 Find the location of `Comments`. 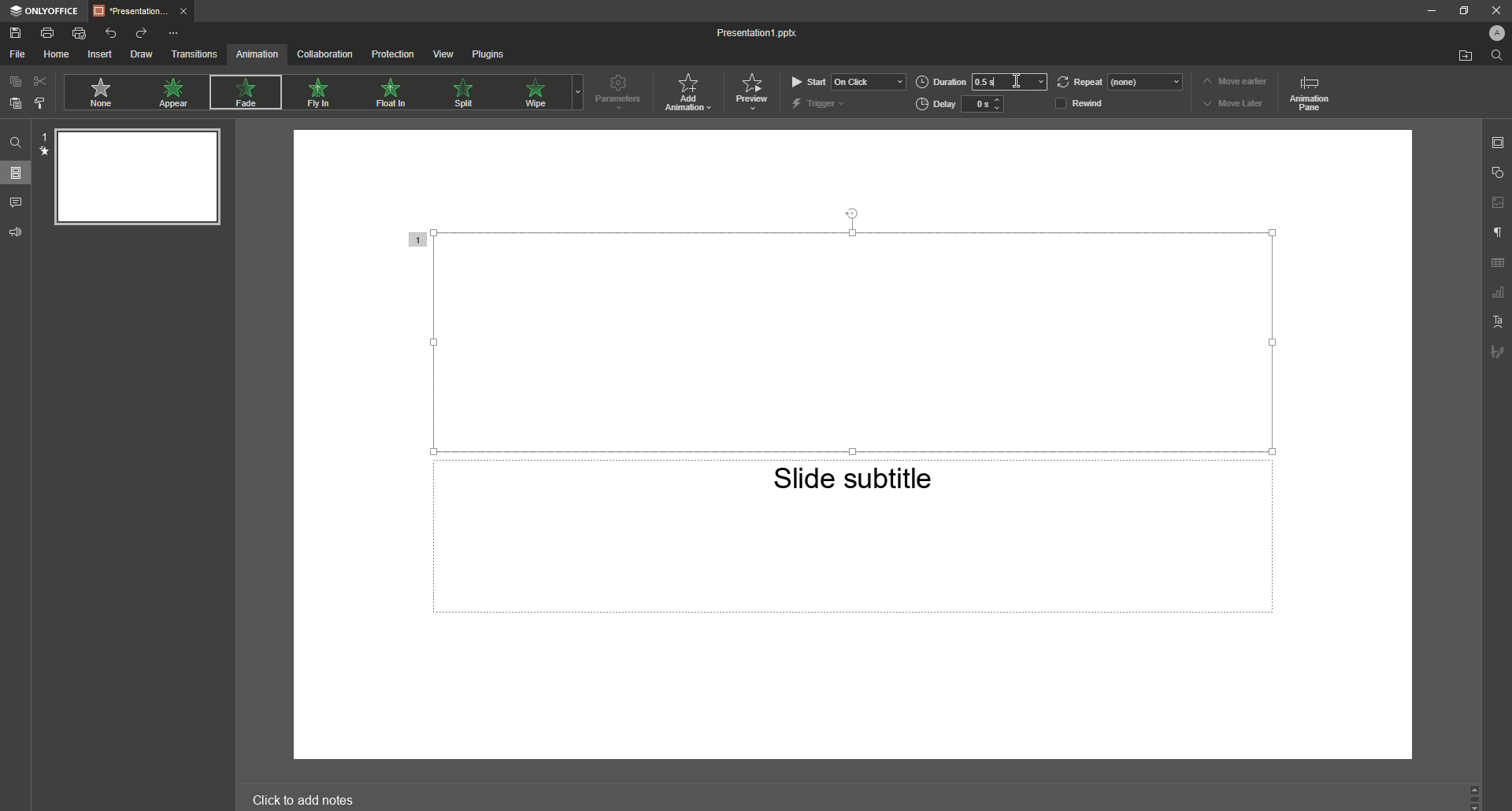

Comments is located at coordinates (17, 203).